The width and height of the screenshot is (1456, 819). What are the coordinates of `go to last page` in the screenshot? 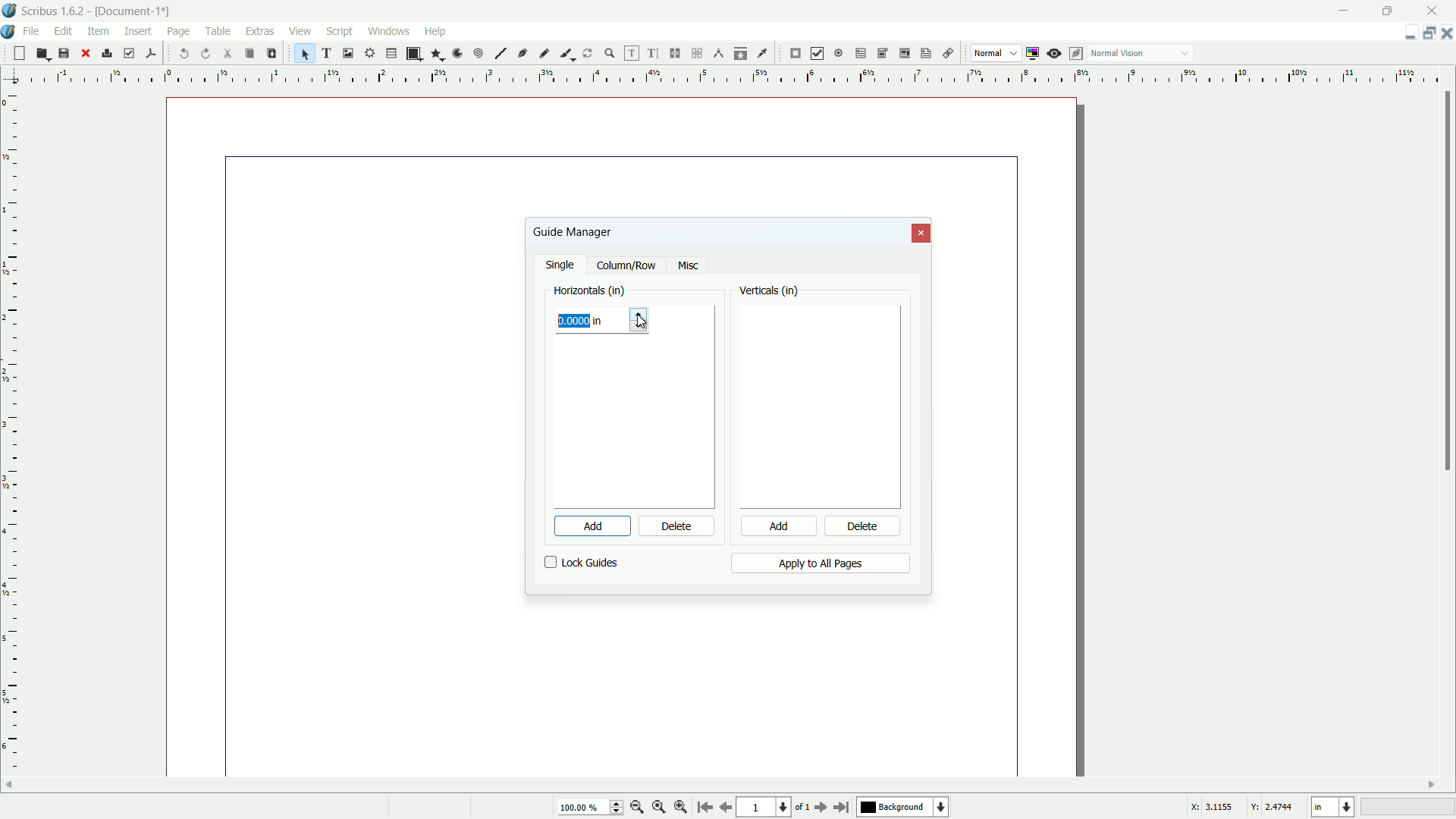 It's located at (843, 807).